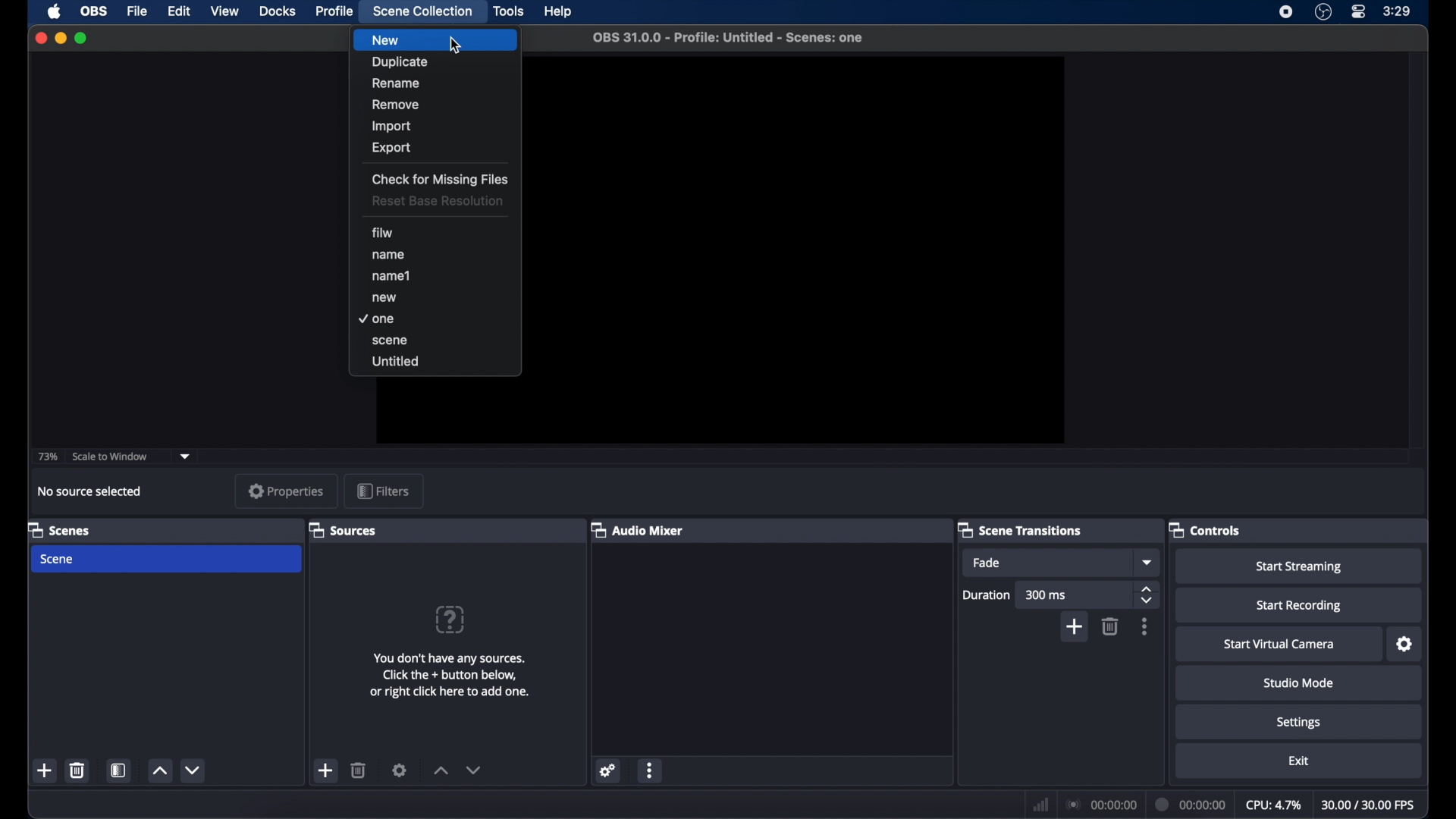 This screenshot has width=1456, height=819. Describe the element at coordinates (436, 125) in the screenshot. I see `Import` at that location.